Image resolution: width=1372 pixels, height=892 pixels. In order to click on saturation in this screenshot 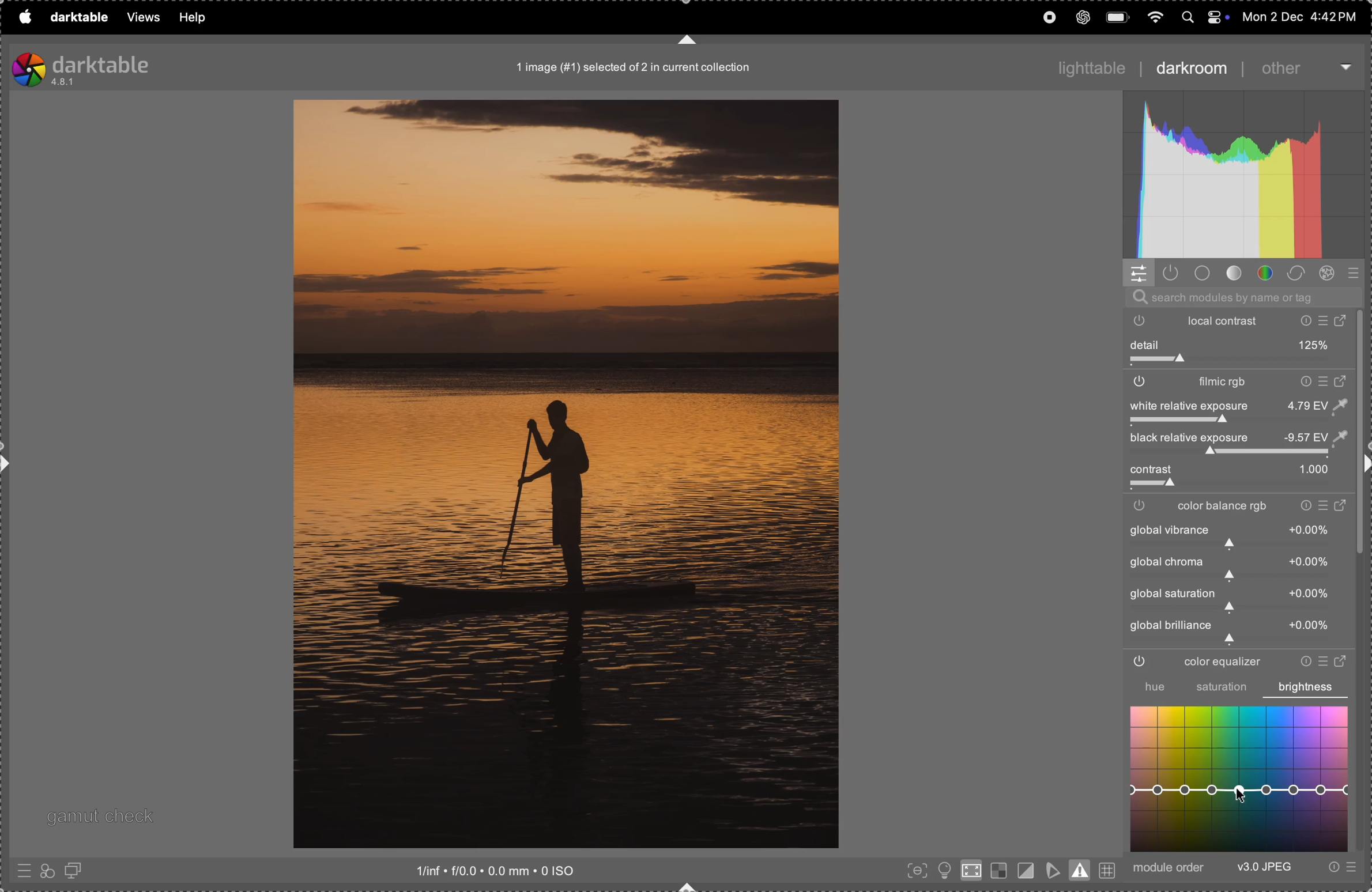, I will do `click(1222, 689)`.